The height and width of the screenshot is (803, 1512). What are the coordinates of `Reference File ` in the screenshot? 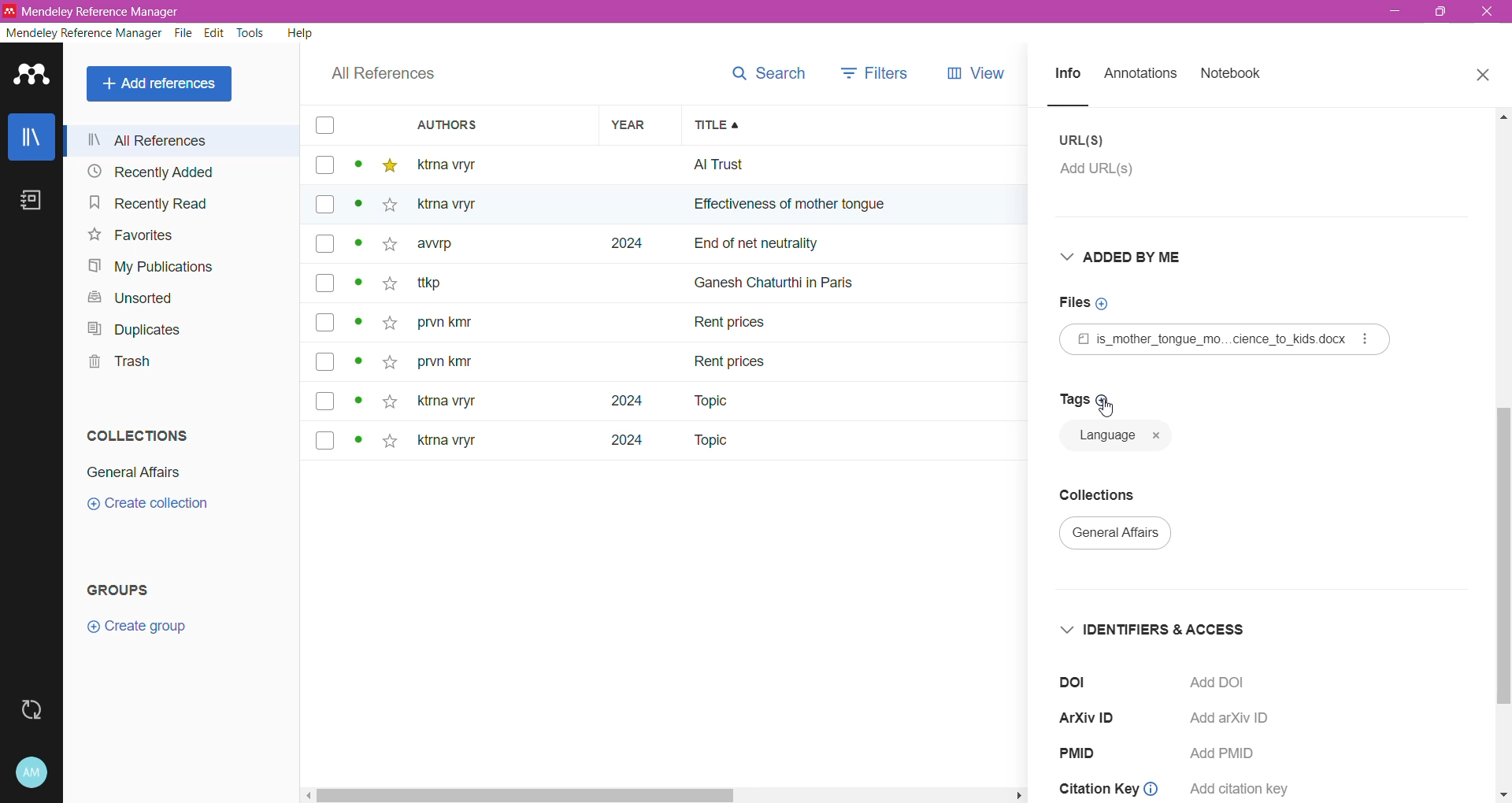 It's located at (1225, 339).